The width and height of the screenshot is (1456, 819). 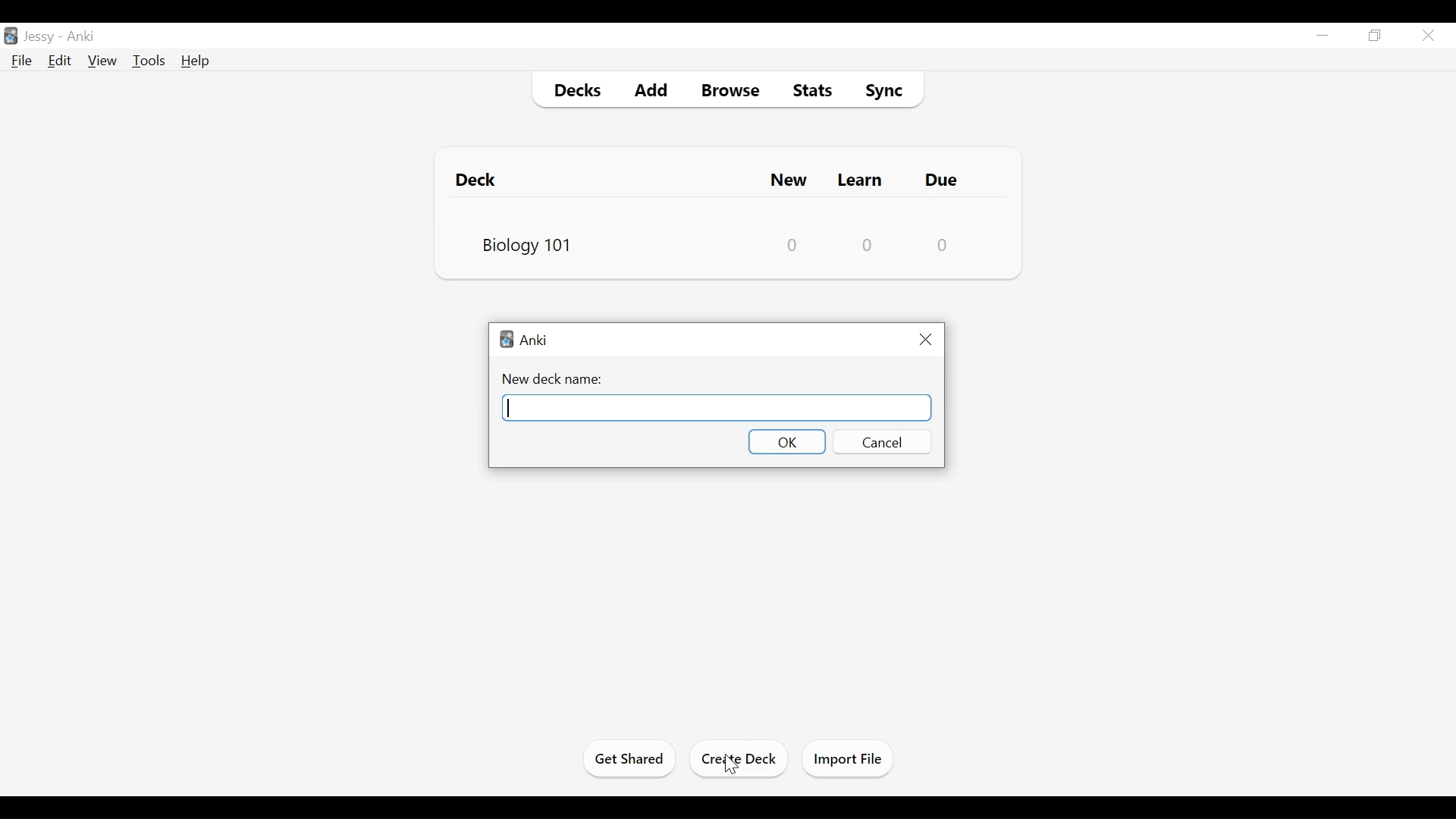 I want to click on Close, so click(x=923, y=340).